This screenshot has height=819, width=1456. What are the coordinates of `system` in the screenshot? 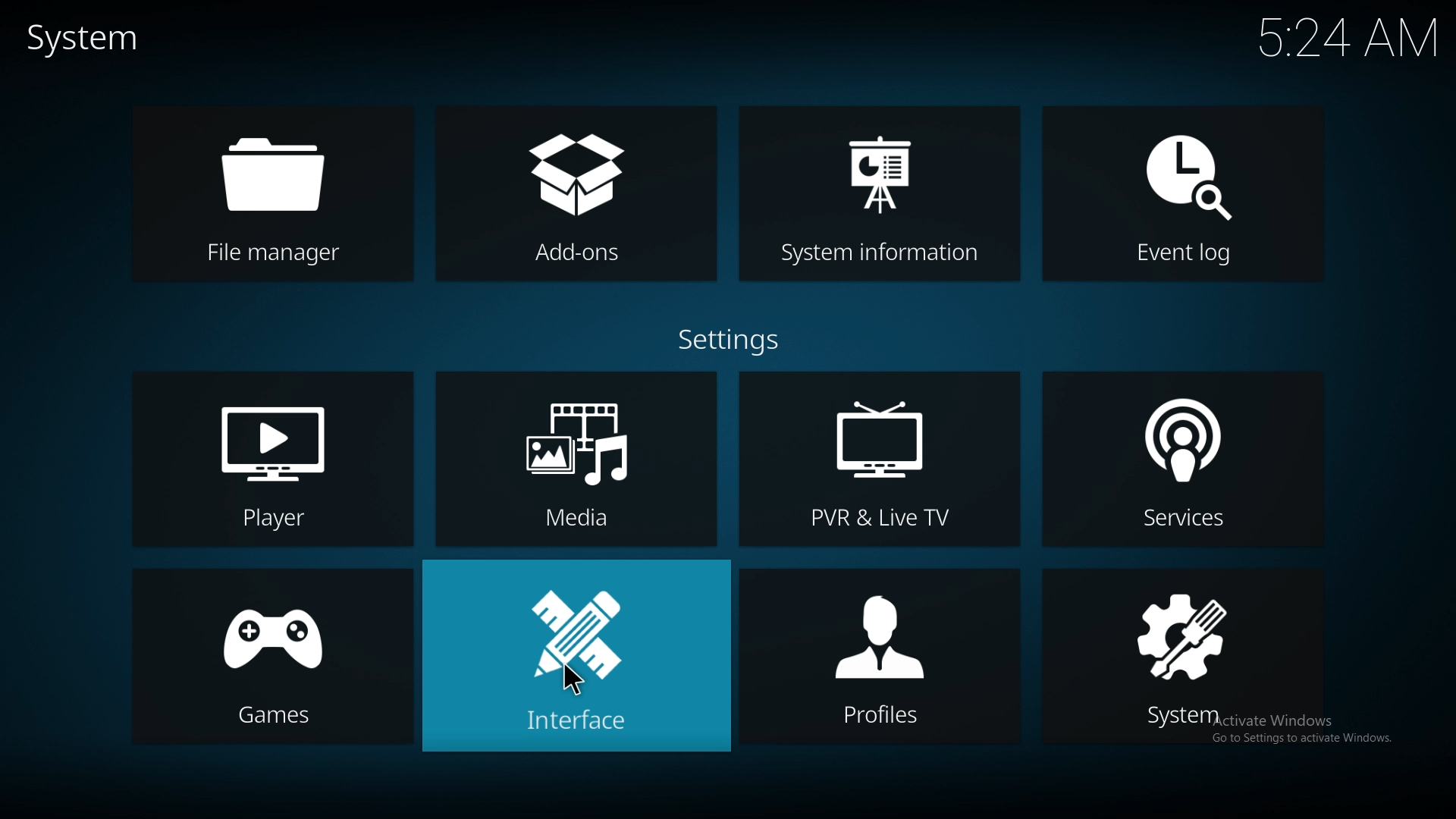 It's located at (1193, 656).